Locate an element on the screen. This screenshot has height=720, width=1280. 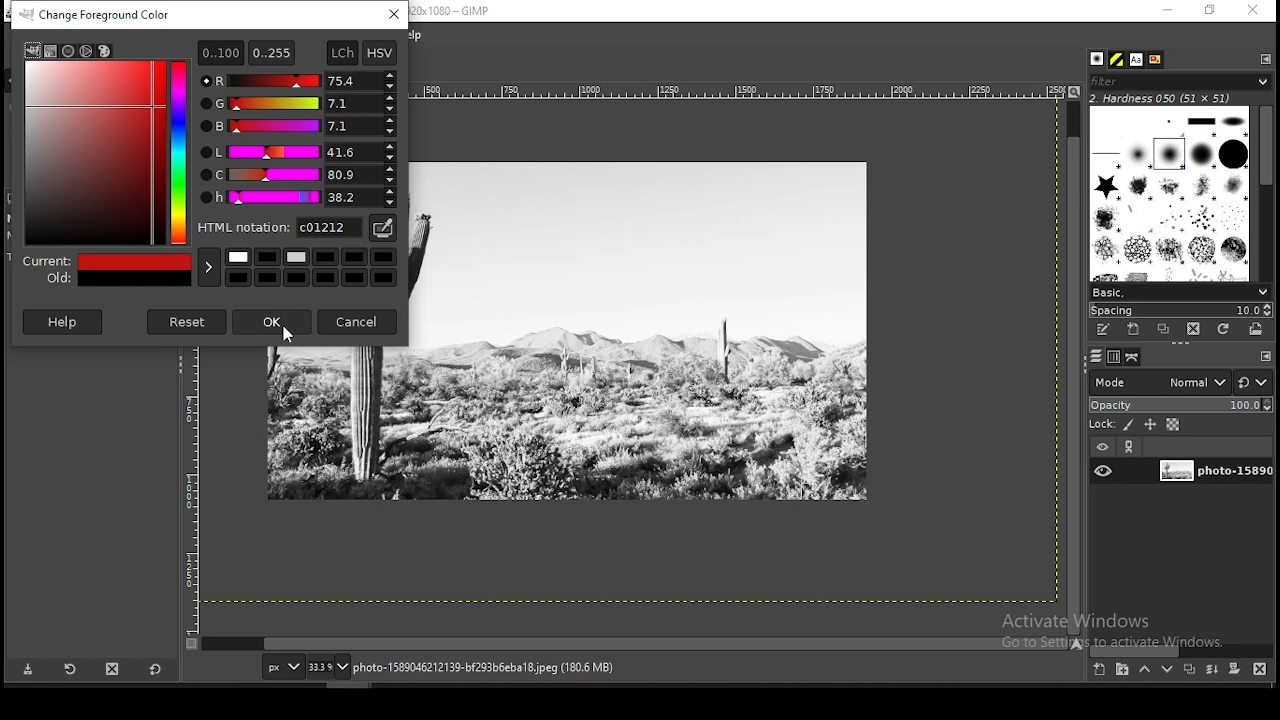
document history is located at coordinates (1156, 60).